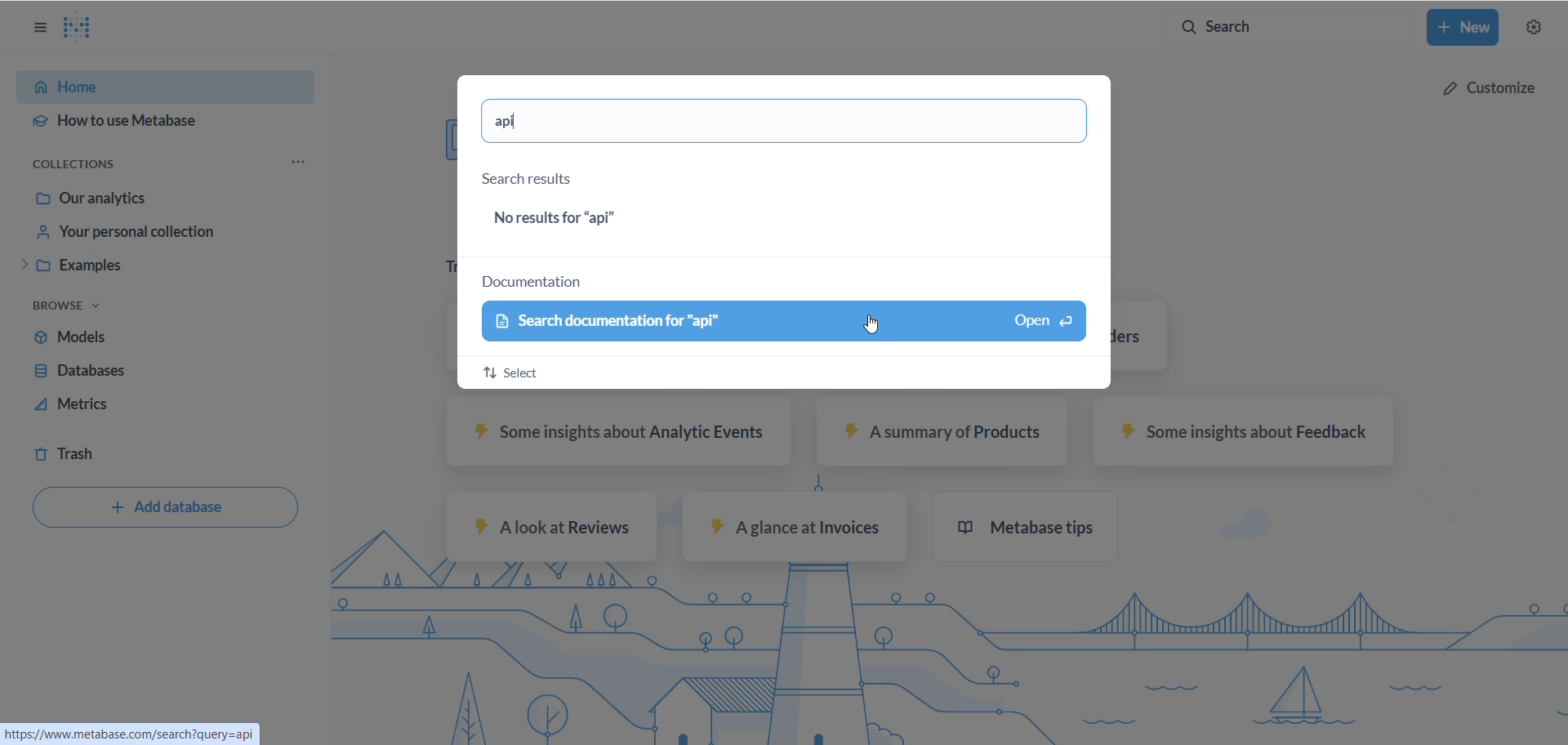  Describe the element at coordinates (545, 530) in the screenshot. I see `A look at reviews sample` at that location.